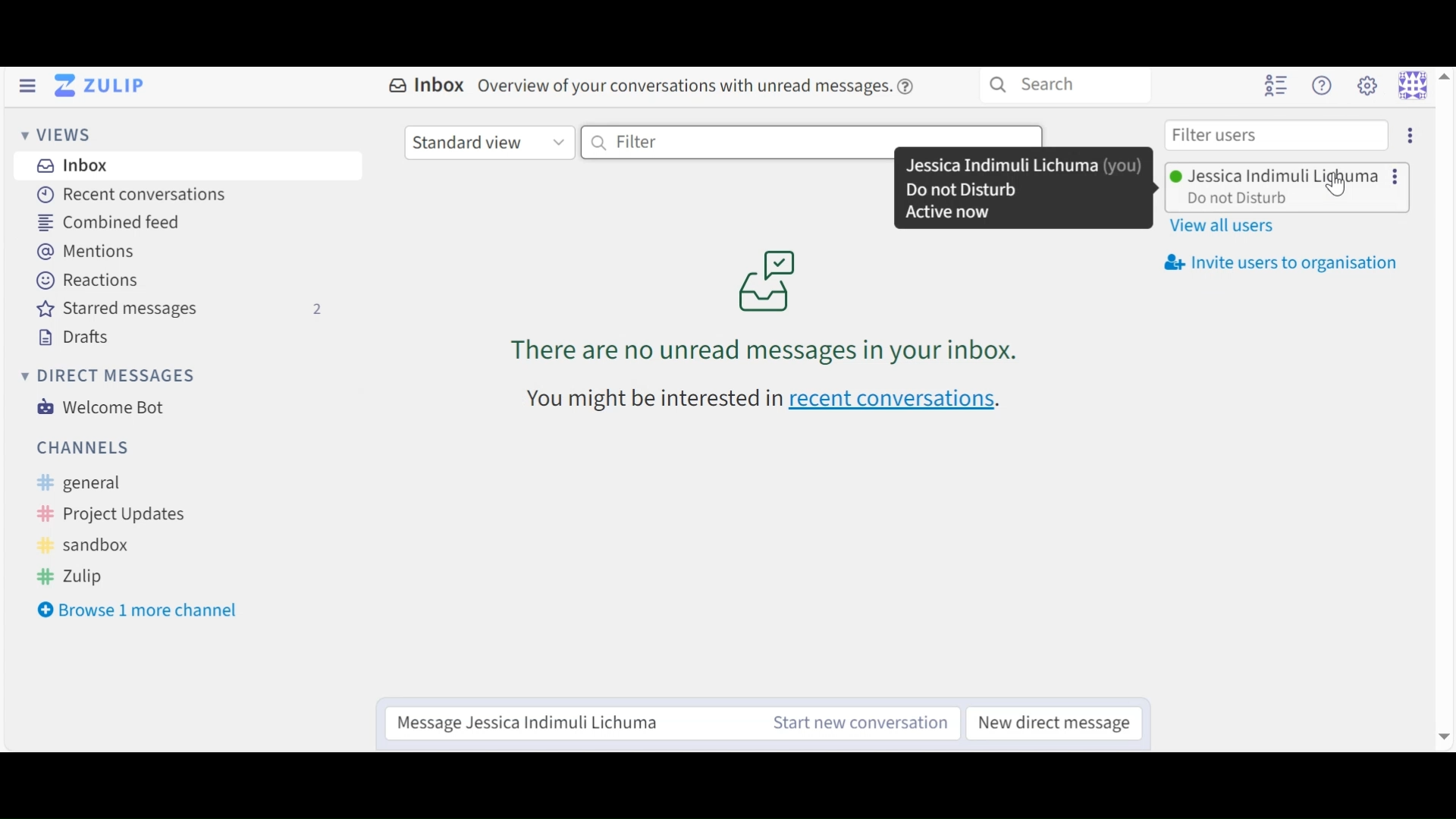 The image size is (1456, 819). I want to click on sandbox, so click(87, 547).